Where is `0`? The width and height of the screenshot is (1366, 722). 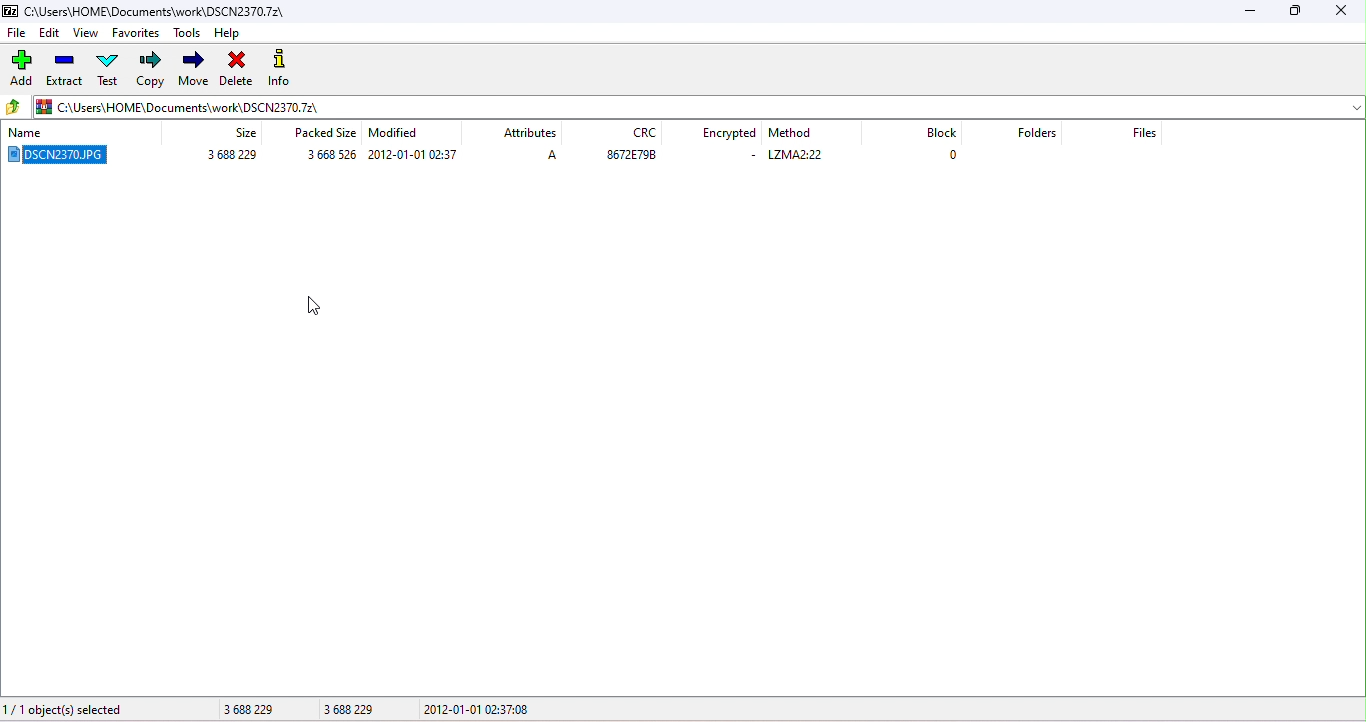 0 is located at coordinates (956, 155).